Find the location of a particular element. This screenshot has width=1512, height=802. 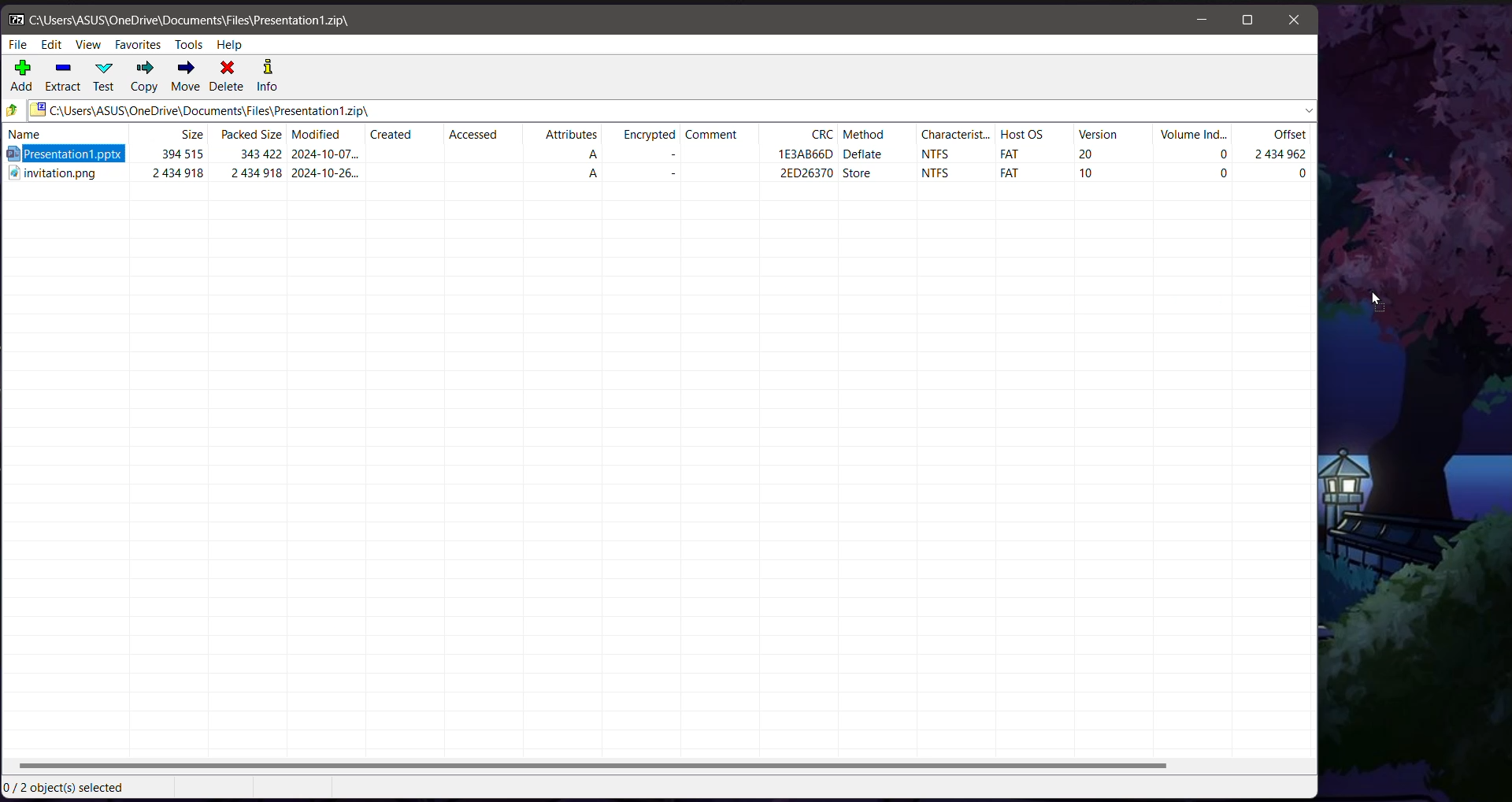

Maximize is located at coordinates (1248, 20).